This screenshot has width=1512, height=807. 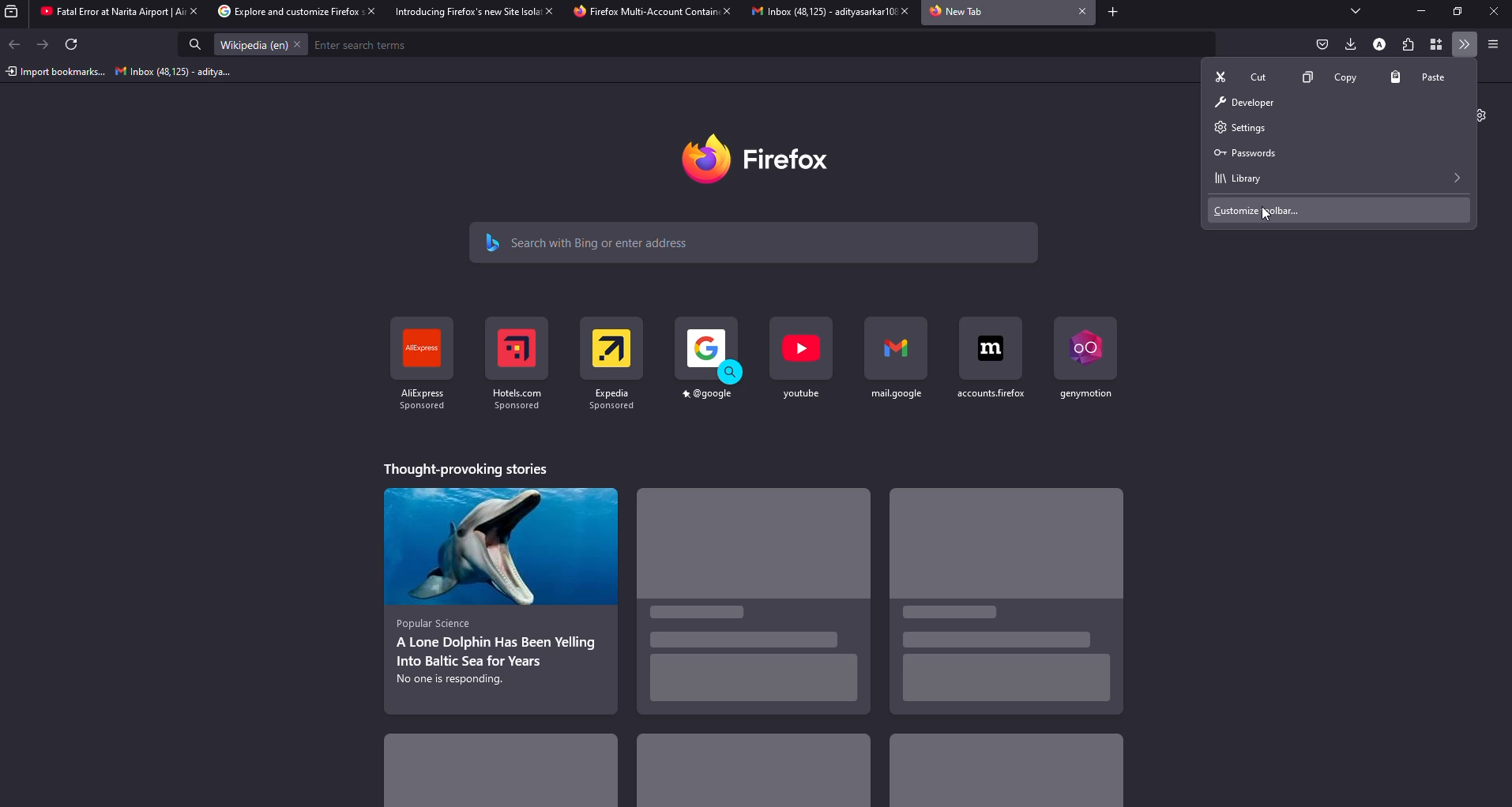 What do you see at coordinates (1416, 11) in the screenshot?
I see `minimize` at bounding box center [1416, 11].